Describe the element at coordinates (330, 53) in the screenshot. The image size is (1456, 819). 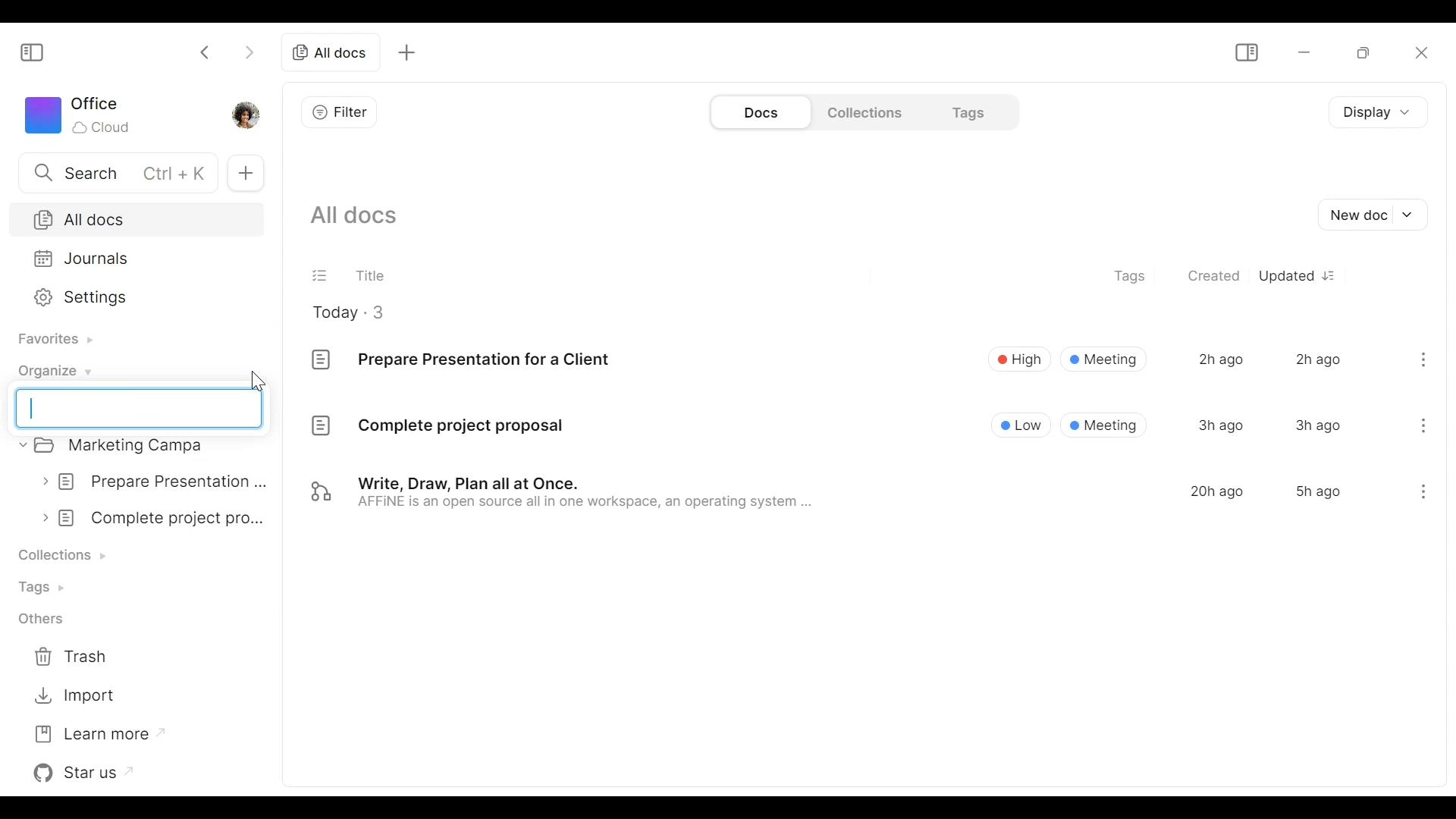
I see `all docs` at that location.